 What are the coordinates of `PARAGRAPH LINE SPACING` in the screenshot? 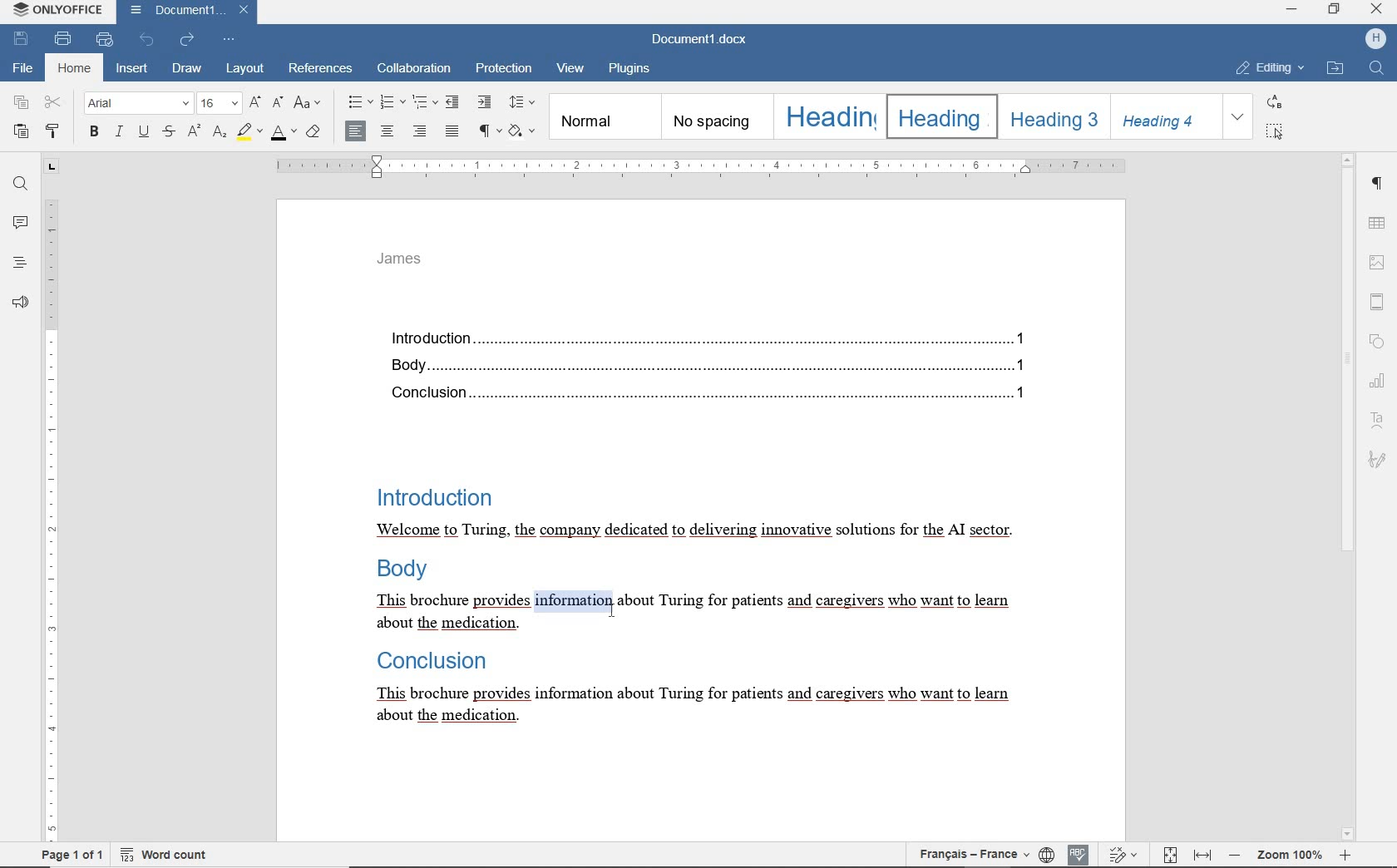 It's located at (523, 103).